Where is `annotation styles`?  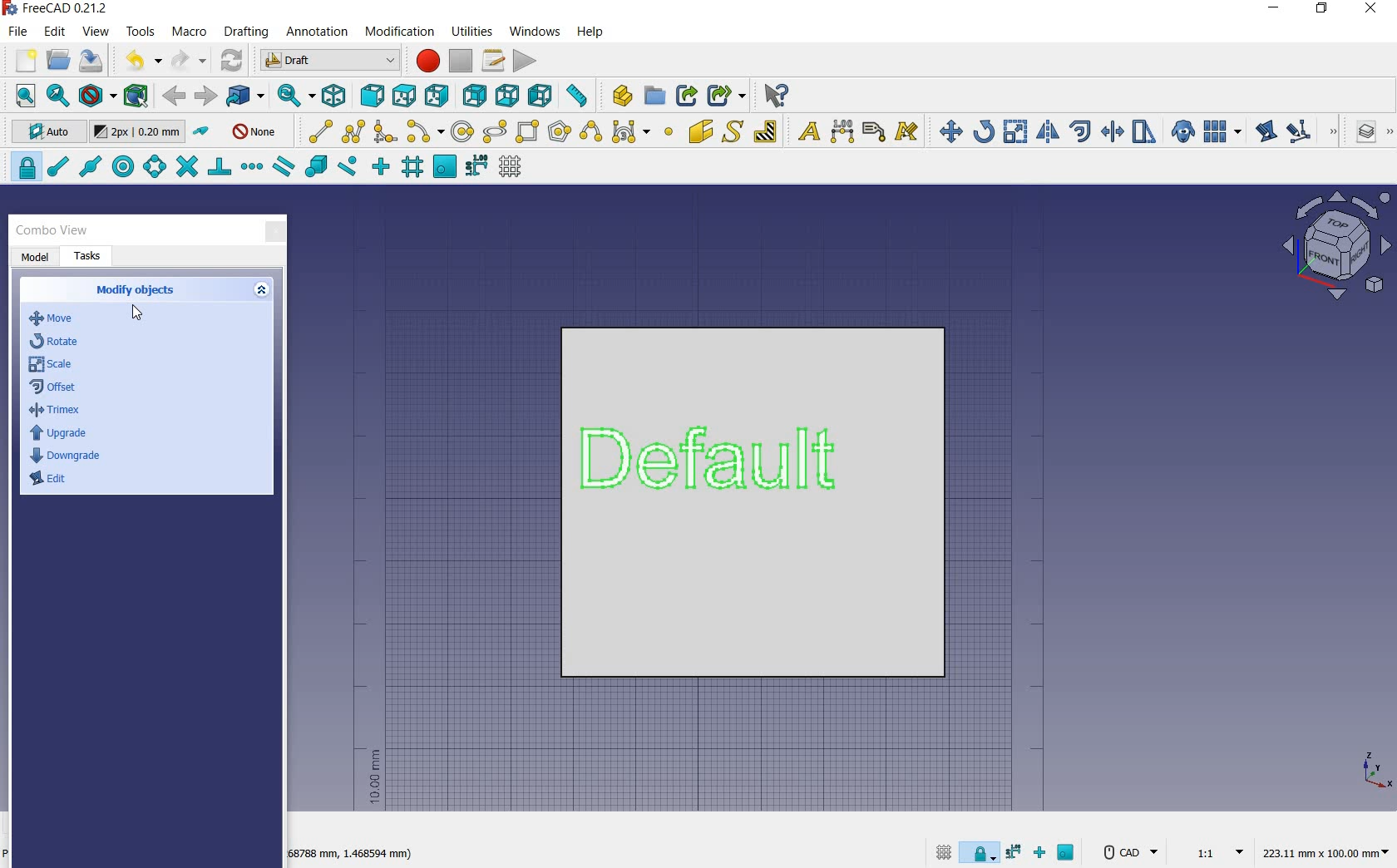 annotation styles is located at coordinates (908, 134).